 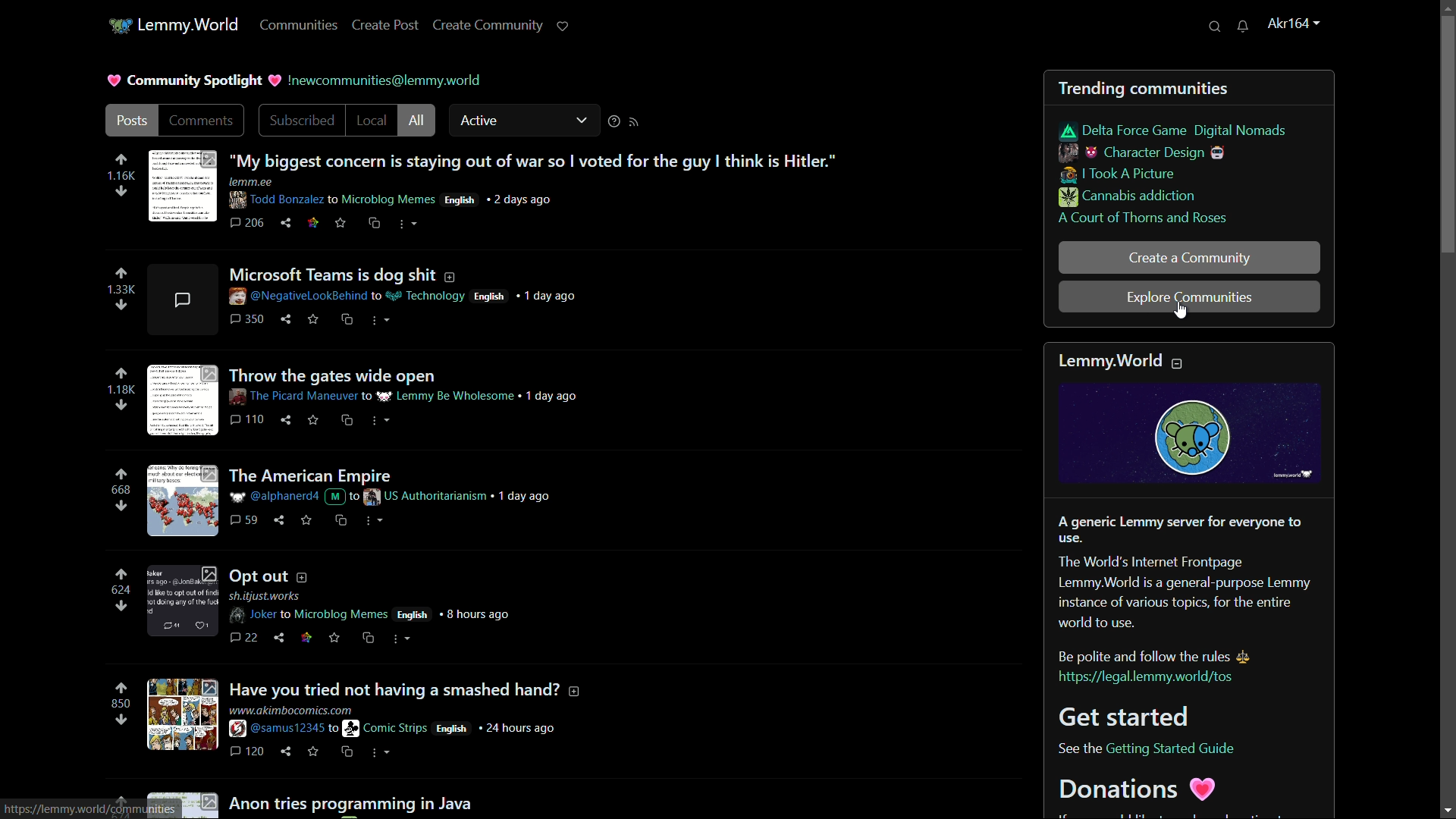 I want to click on a court of thorns and roses, so click(x=1143, y=219).